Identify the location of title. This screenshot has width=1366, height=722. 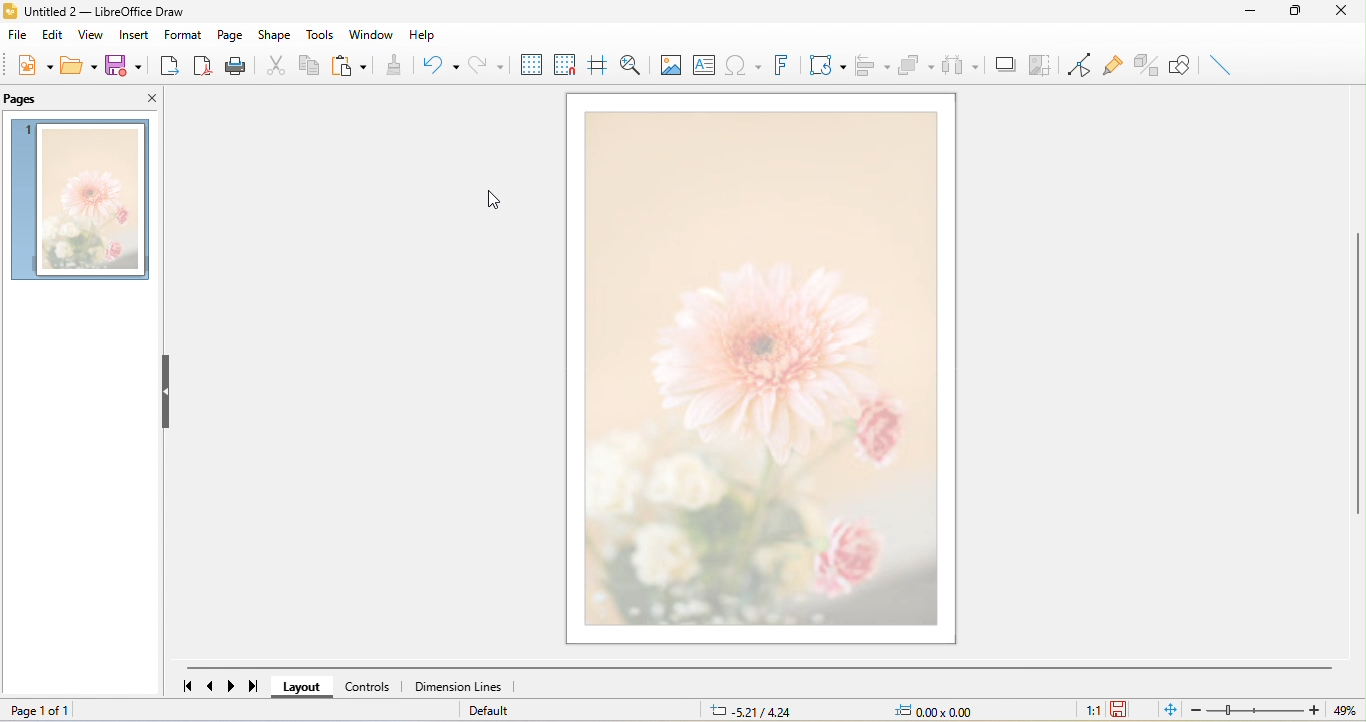
(102, 13).